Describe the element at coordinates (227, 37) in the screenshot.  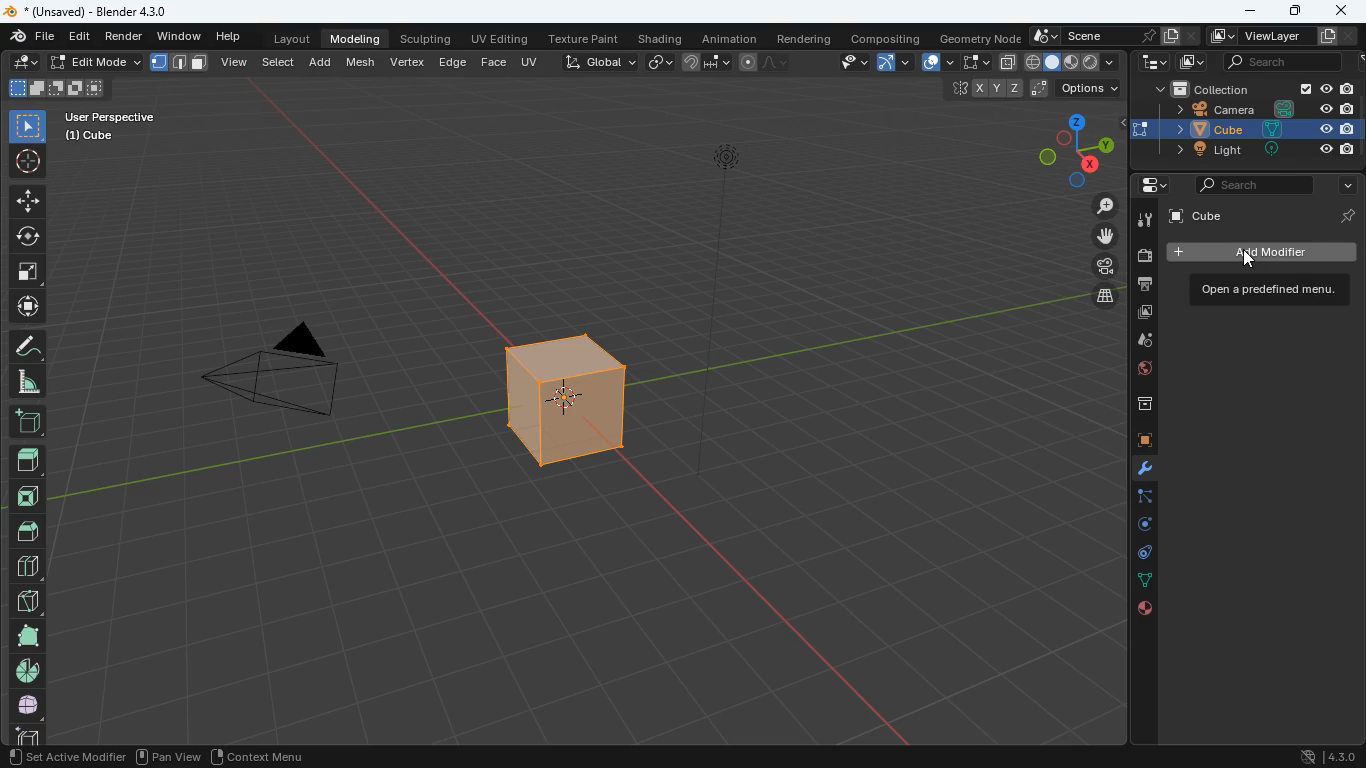
I see `help` at that location.